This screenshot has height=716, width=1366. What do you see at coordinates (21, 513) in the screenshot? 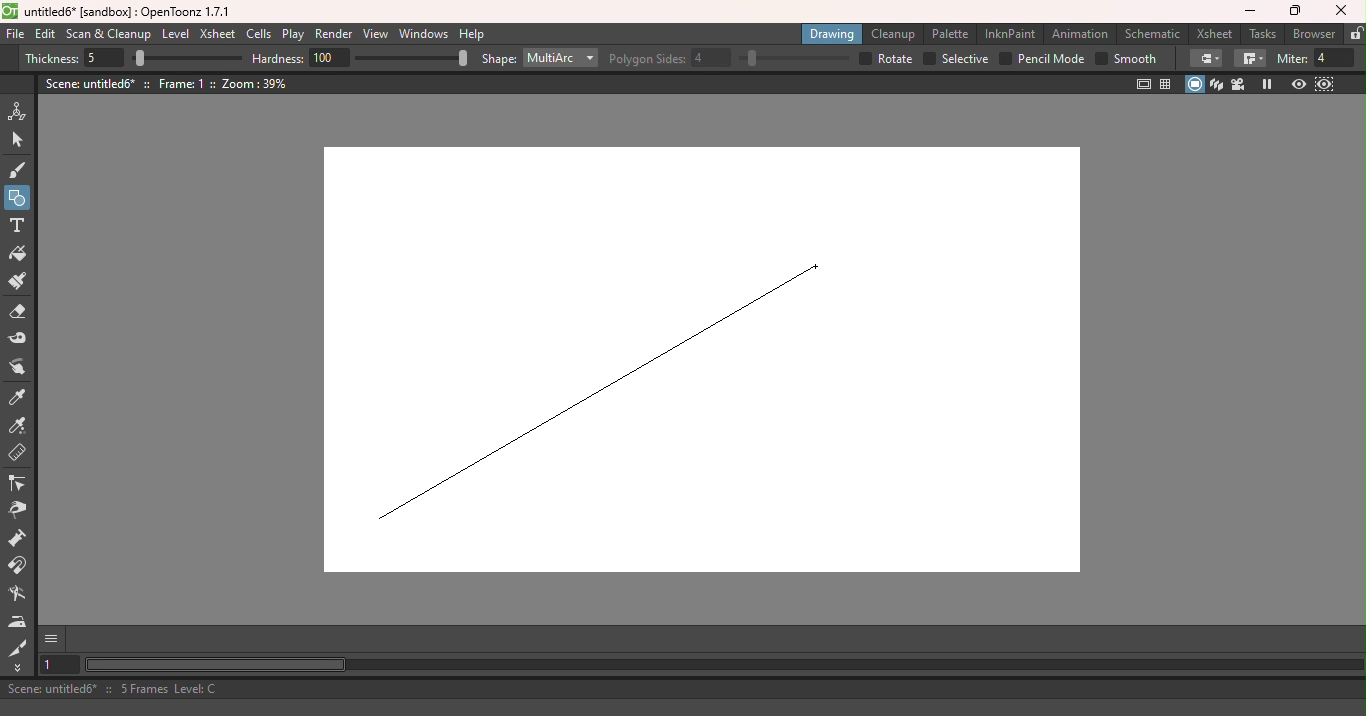
I see `Pinch tool` at bounding box center [21, 513].